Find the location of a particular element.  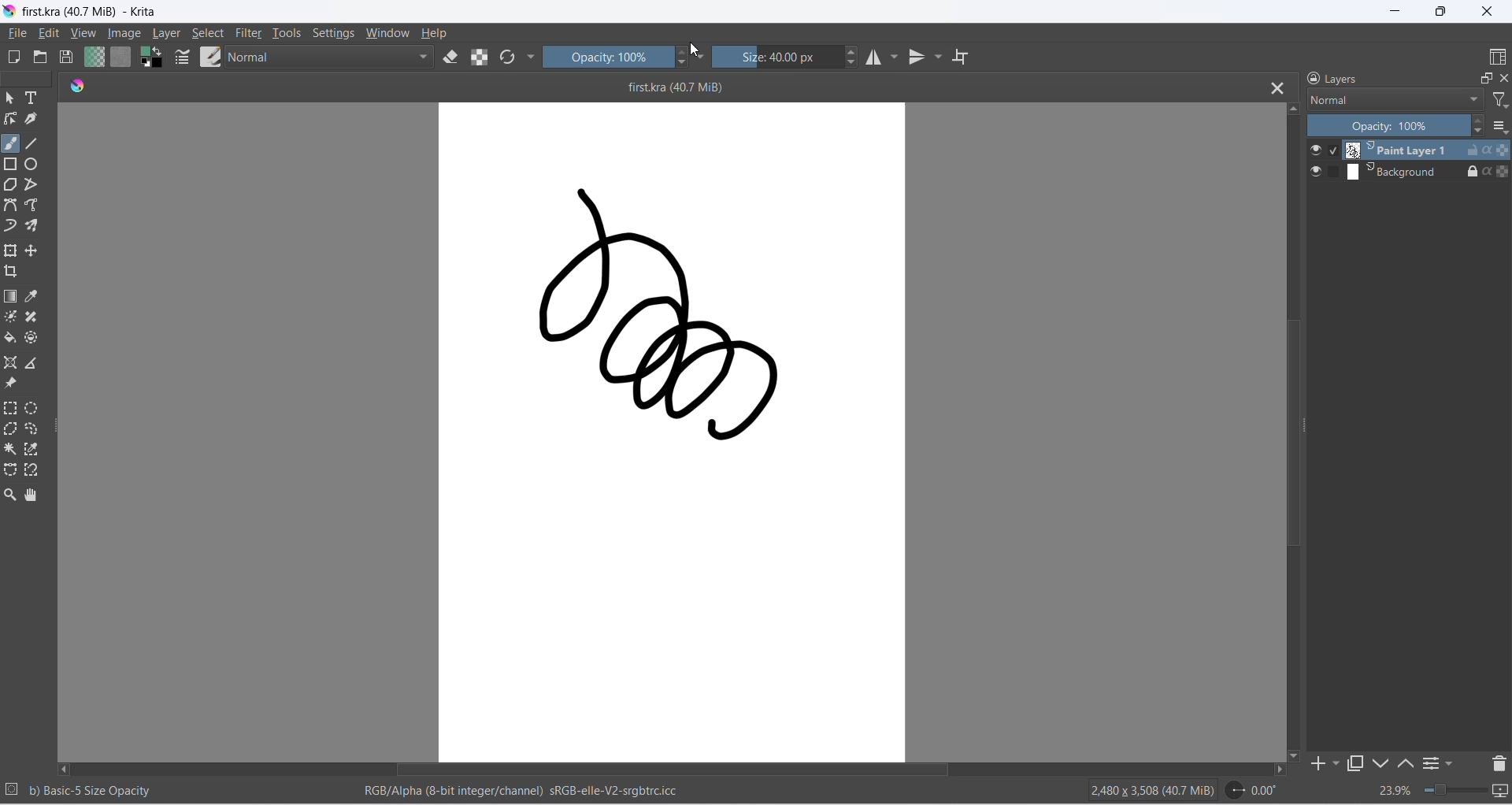

Lock layer is located at coordinates (1467, 150).